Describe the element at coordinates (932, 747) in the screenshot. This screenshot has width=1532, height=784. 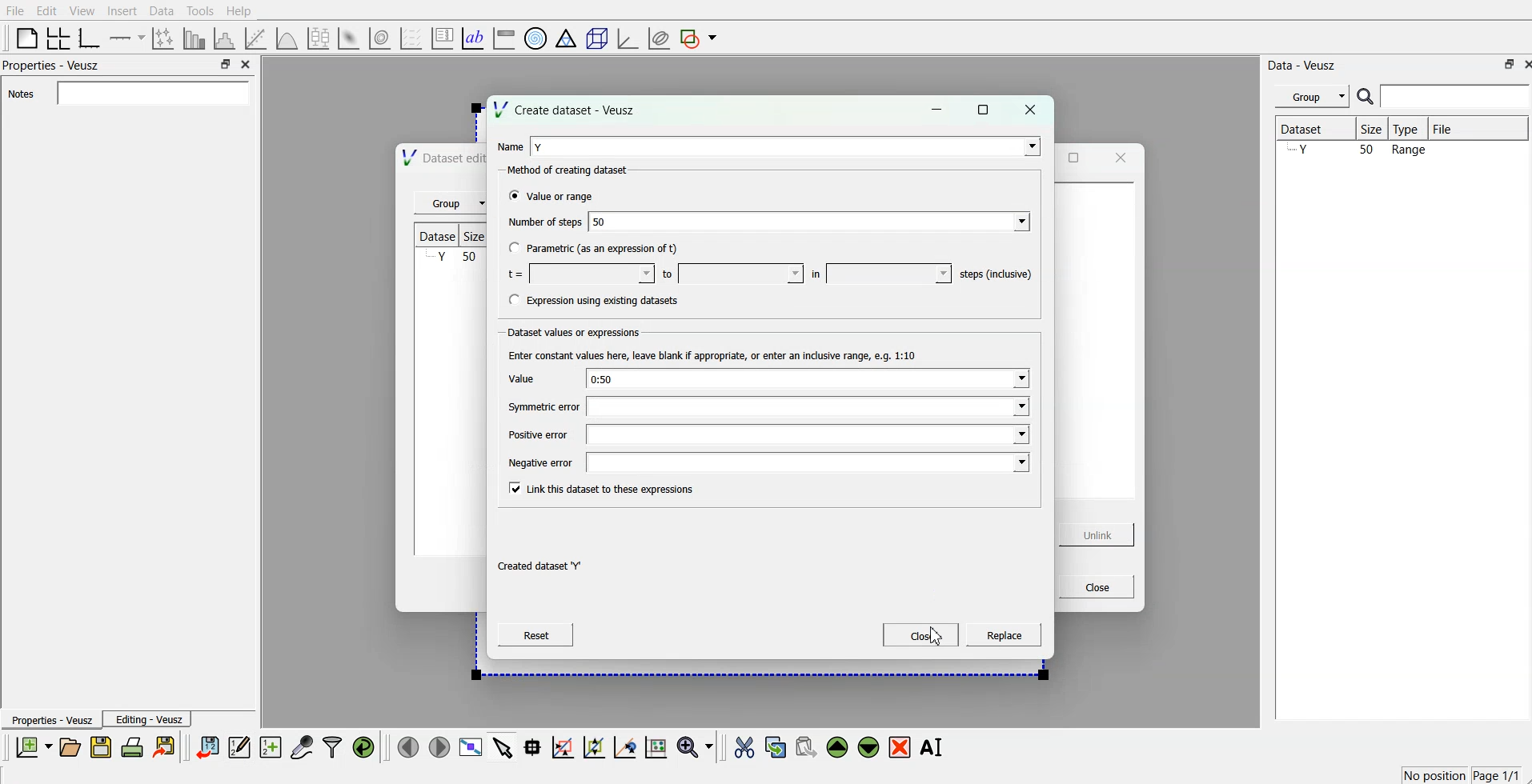
I see `rename the selected widgets` at that location.